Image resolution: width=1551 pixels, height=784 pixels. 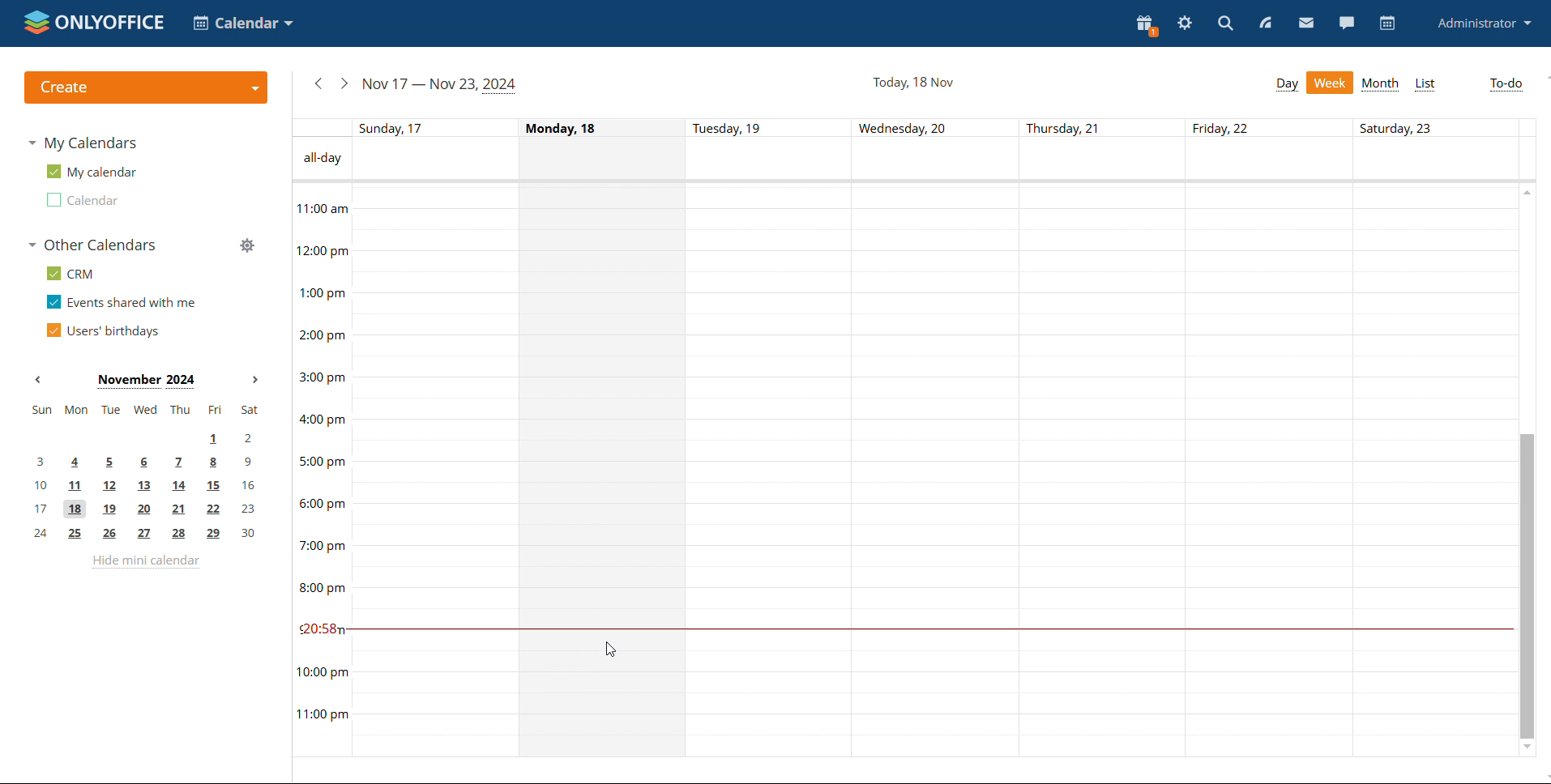 I want to click on Thursday, so click(x=1104, y=471).